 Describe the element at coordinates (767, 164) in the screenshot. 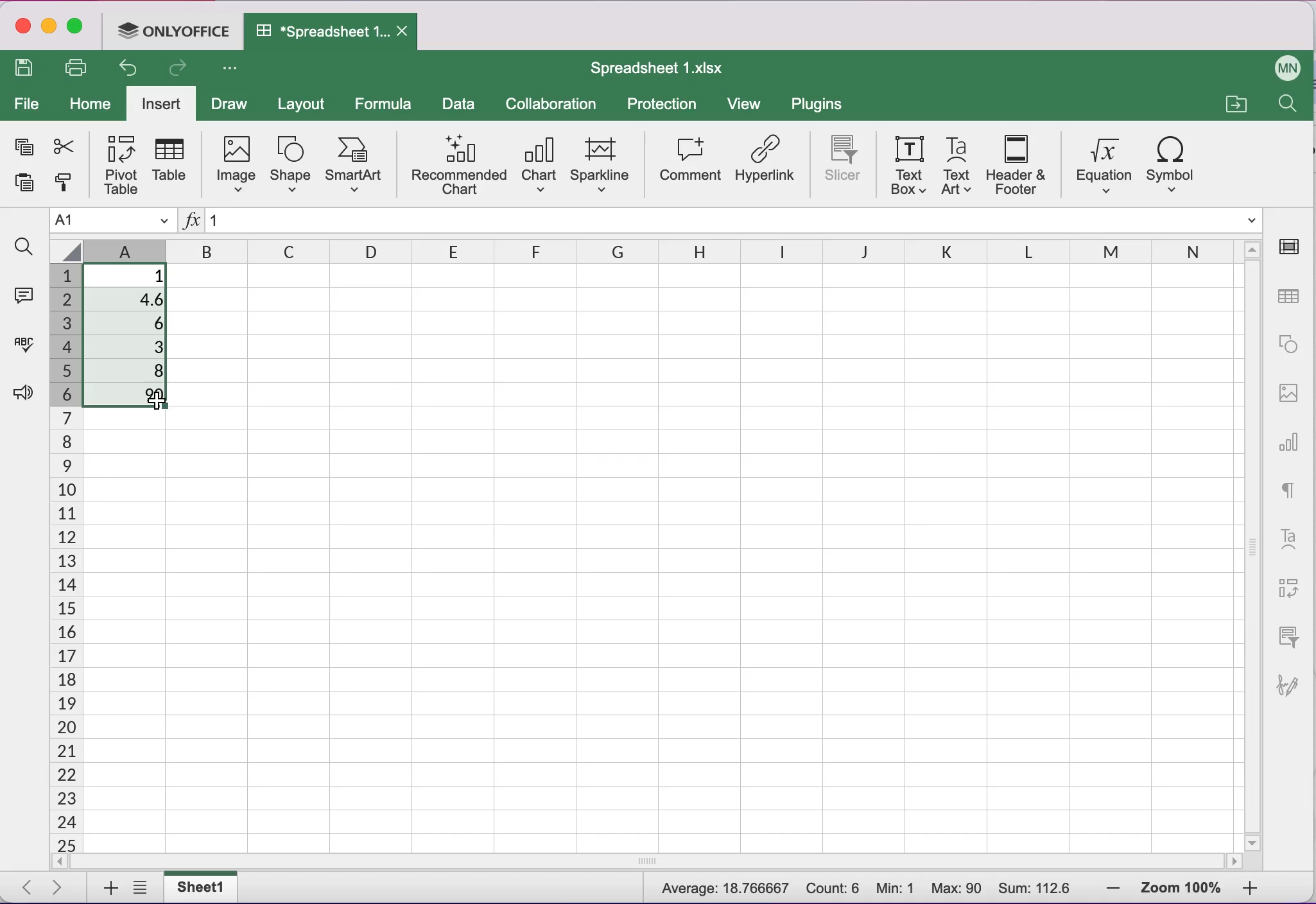

I see `hyperlink` at that location.